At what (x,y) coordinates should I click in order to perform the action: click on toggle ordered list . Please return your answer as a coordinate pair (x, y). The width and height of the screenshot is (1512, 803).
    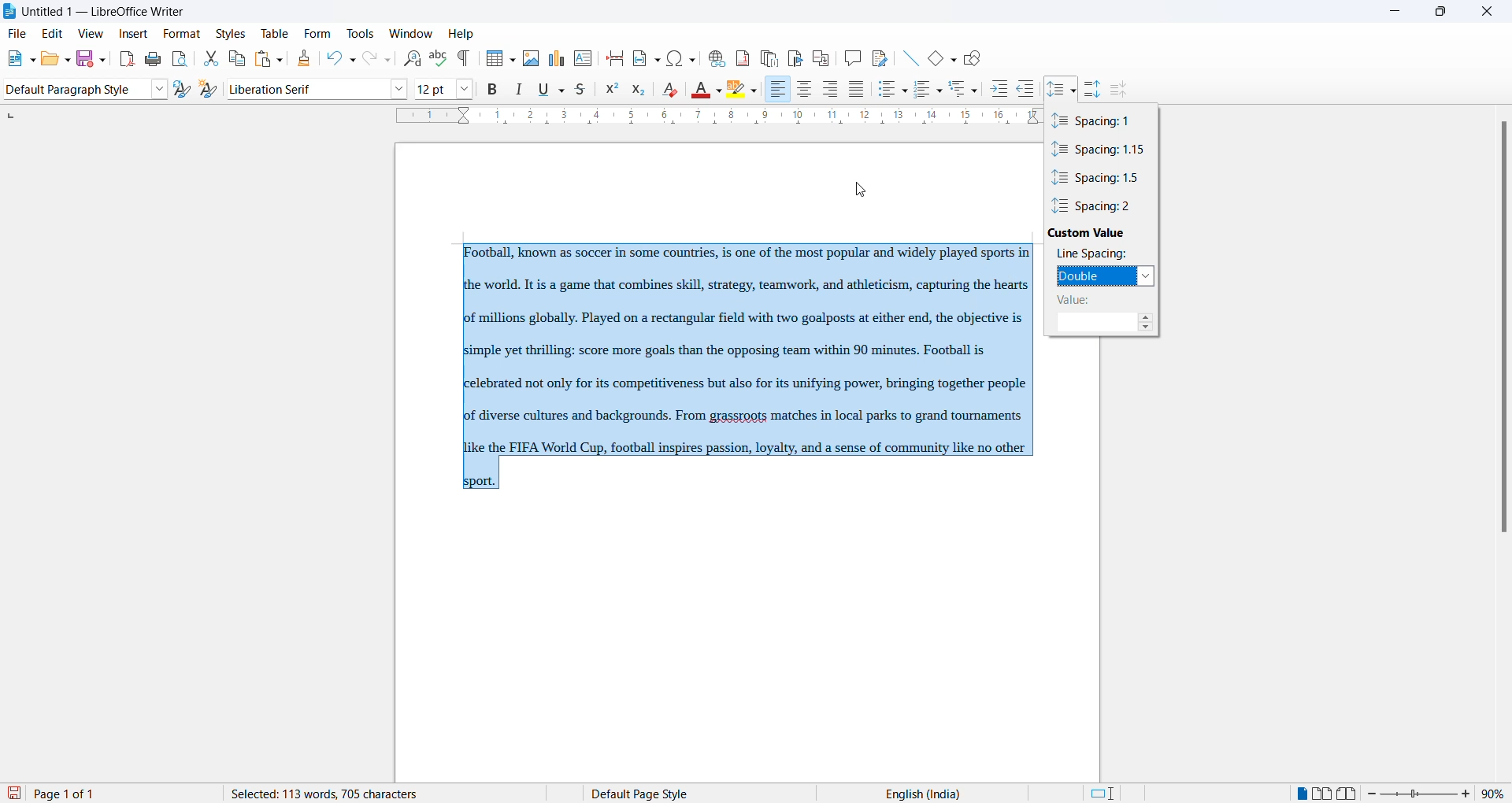
    Looking at the image, I should click on (941, 91).